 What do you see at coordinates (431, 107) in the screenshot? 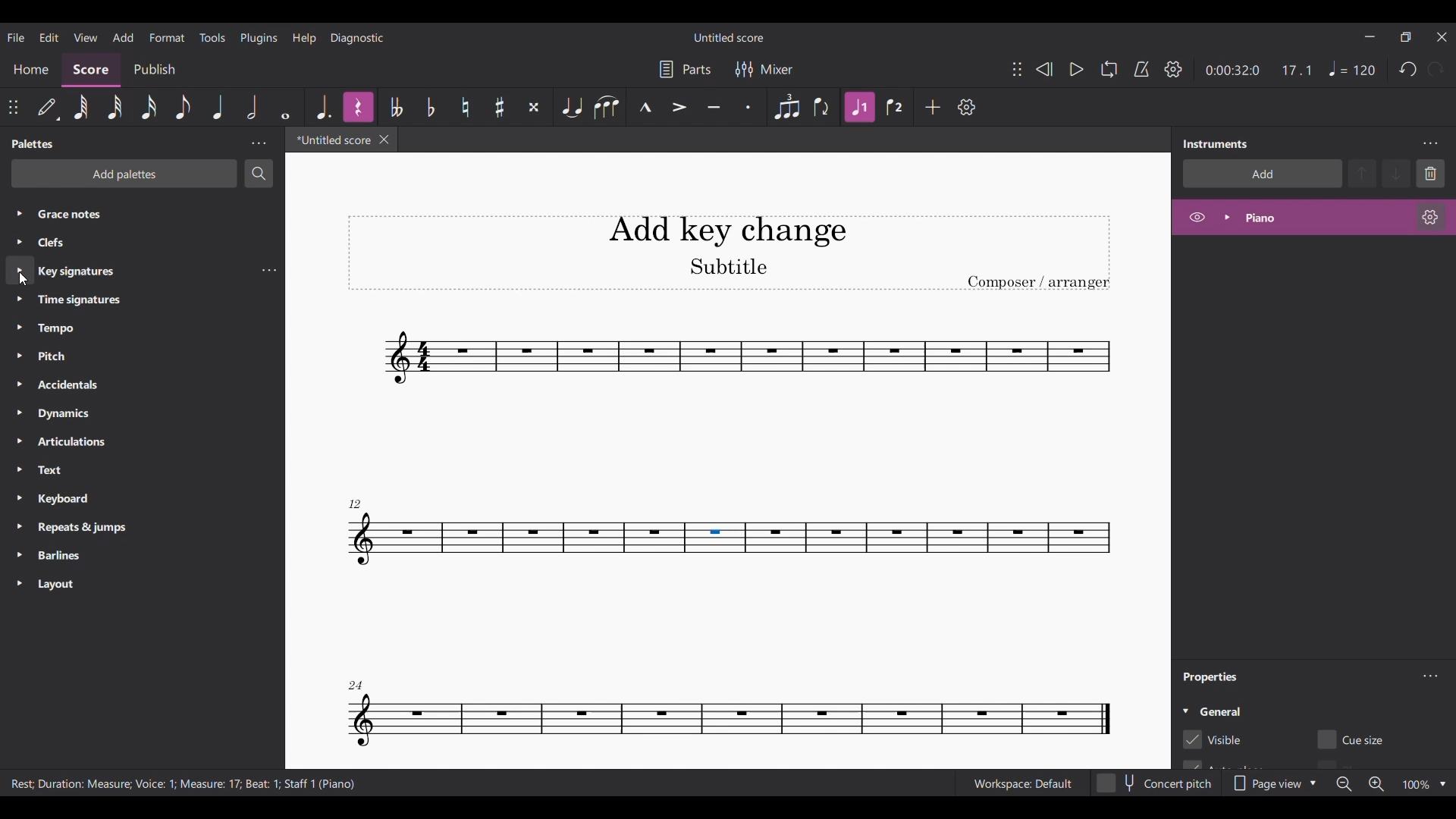
I see `Toggle flat` at bounding box center [431, 107].